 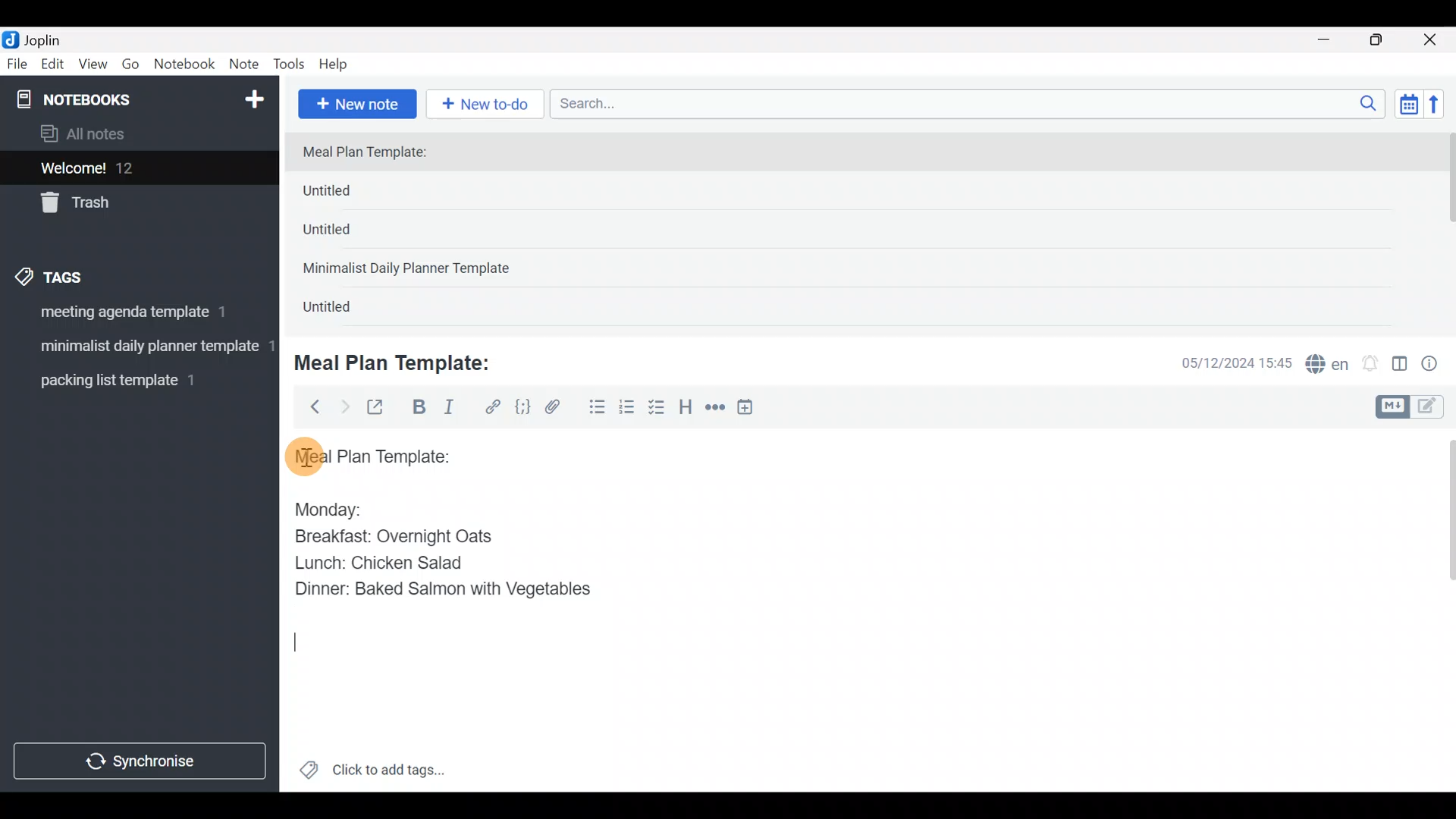 What do you see at coordinates (309, 406) in the screenshot?
I see `Back` at bounding box center [309, 406].